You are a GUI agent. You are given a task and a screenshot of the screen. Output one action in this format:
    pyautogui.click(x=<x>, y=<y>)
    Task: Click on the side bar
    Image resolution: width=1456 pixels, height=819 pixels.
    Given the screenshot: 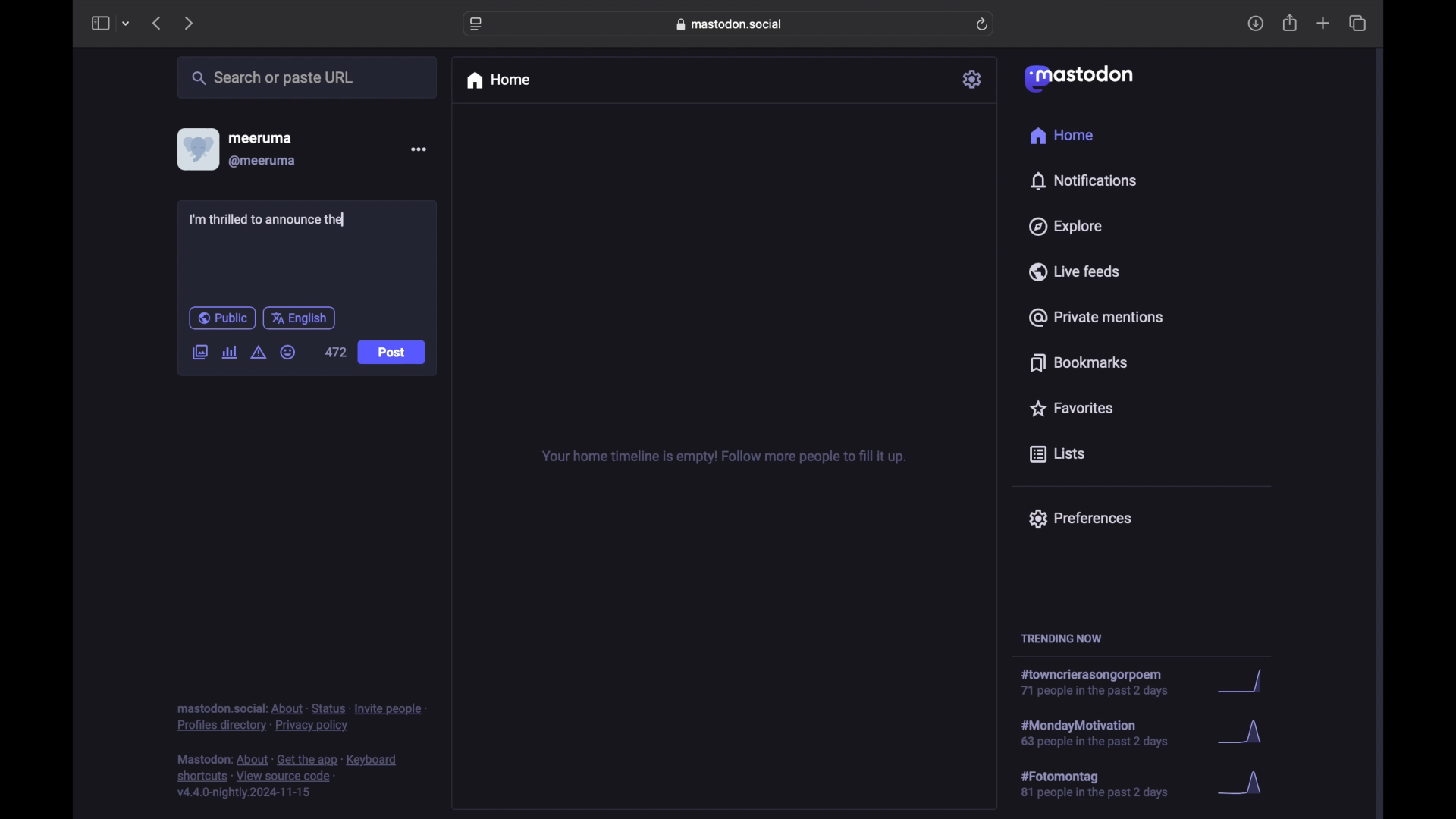 What is the action you would take?
    pyautogui.click(x=99, y=23)
    